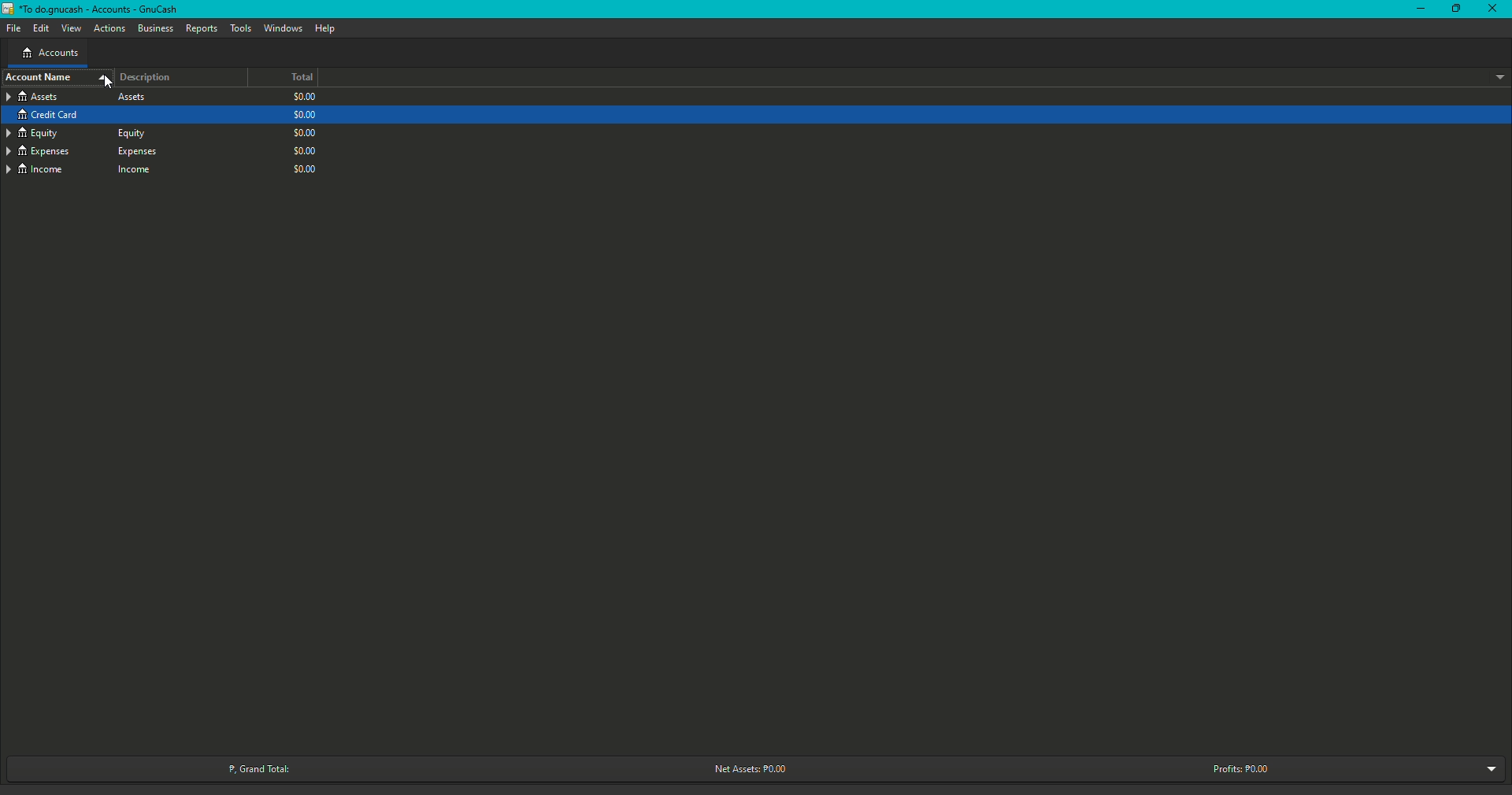 This screenshot has width=1512, height=795. What do you see at coordinates (108, 28) in the screenshot?
I see `Actions` at bounding box center [108, 28].